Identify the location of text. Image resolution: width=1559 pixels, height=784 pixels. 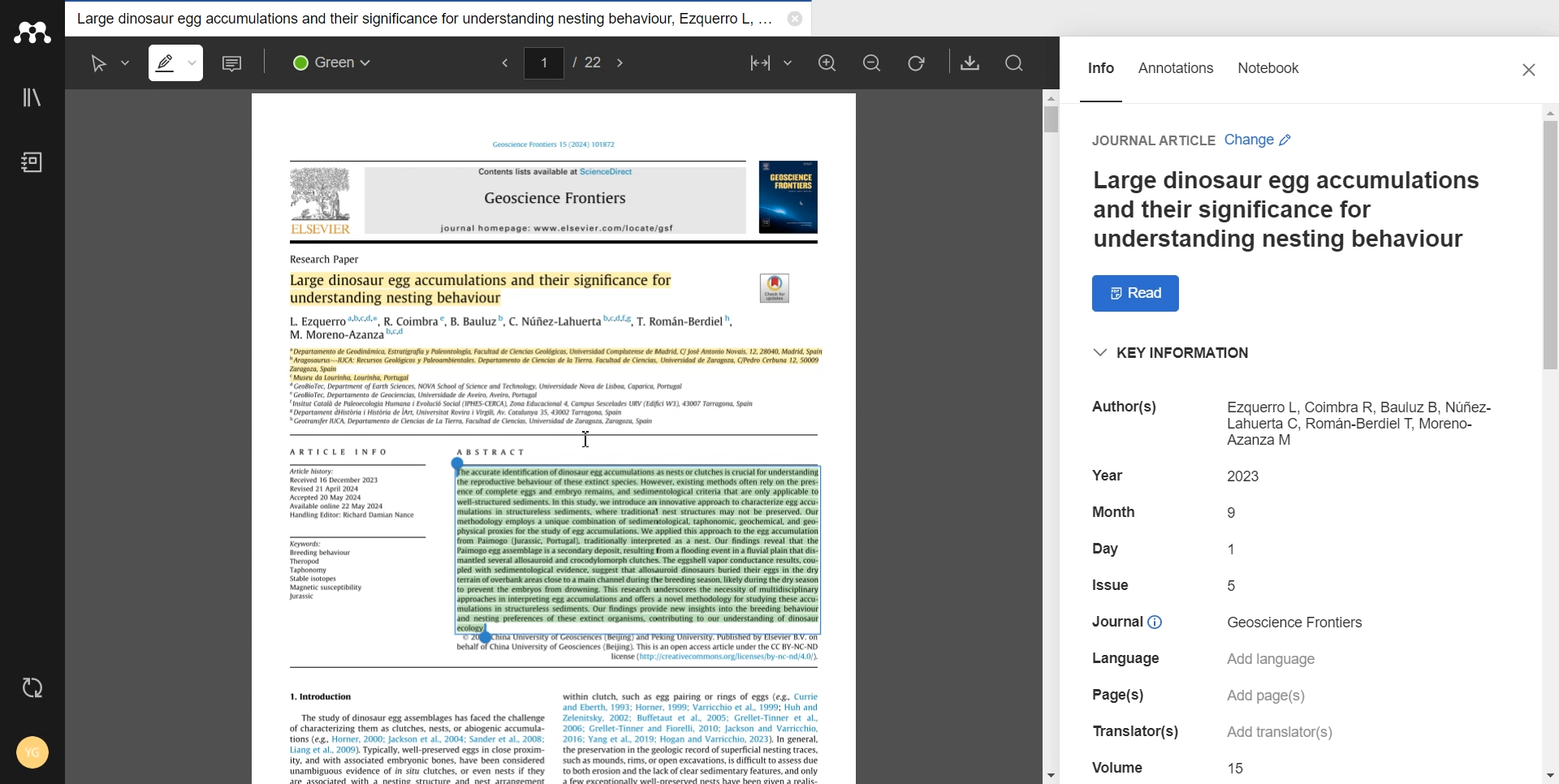
(1118, 694).